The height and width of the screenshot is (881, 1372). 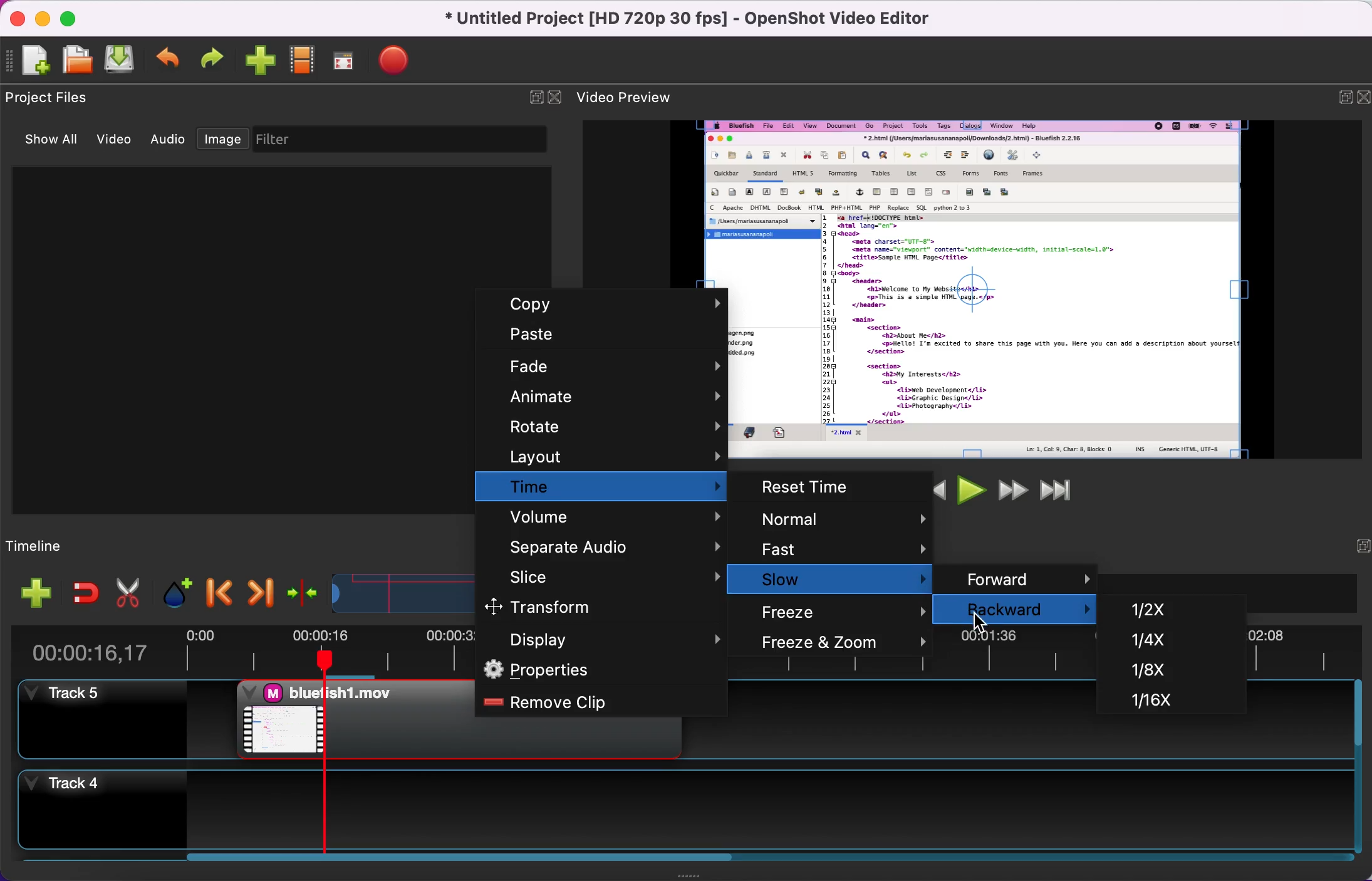 What do you see at coordinates (80, 592) in the screenshot?
I see `enable snapping` at bounding box center [80, 592].